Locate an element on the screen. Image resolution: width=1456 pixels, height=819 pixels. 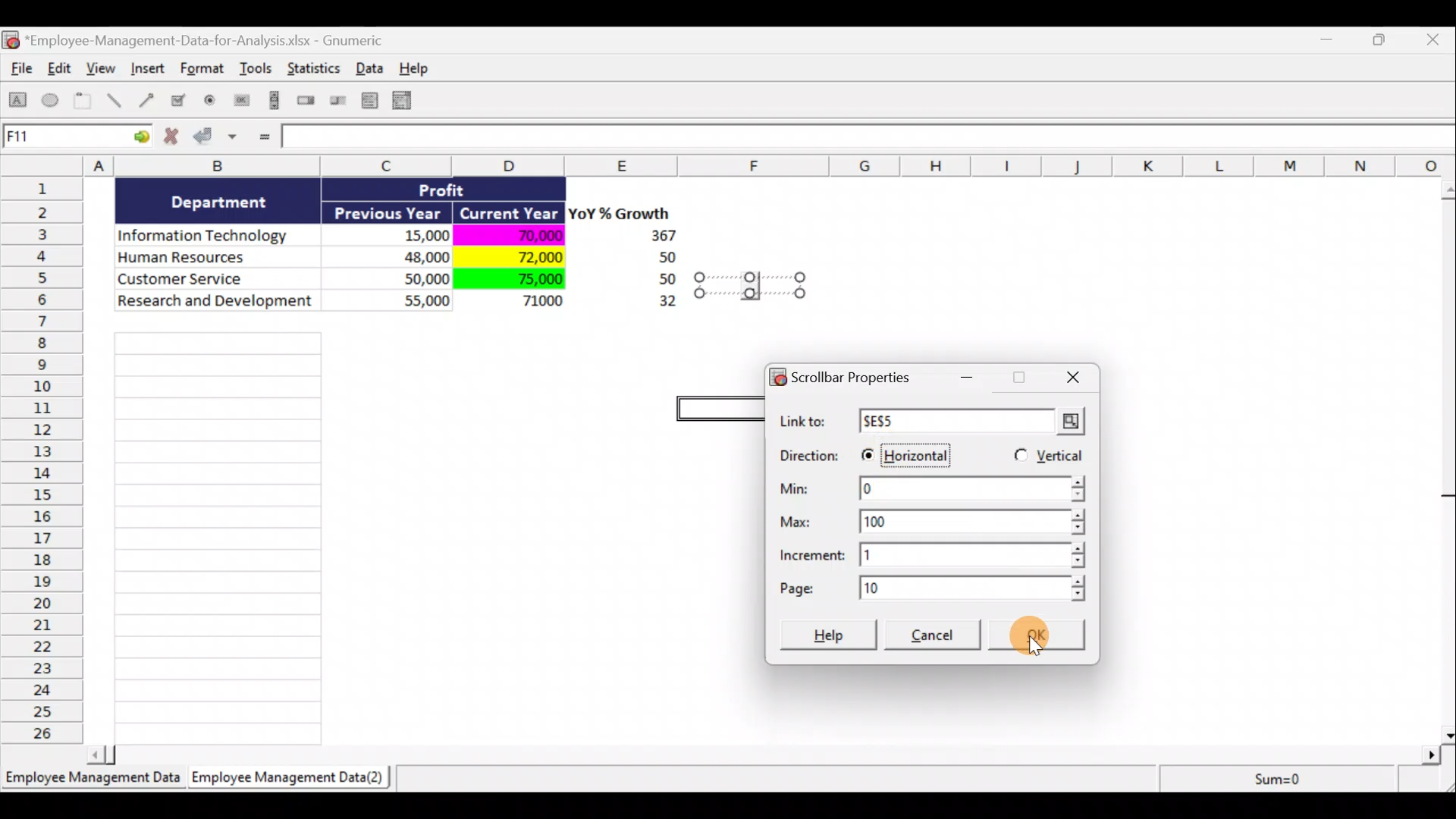
Minimise is located at coordinates (971, 382).